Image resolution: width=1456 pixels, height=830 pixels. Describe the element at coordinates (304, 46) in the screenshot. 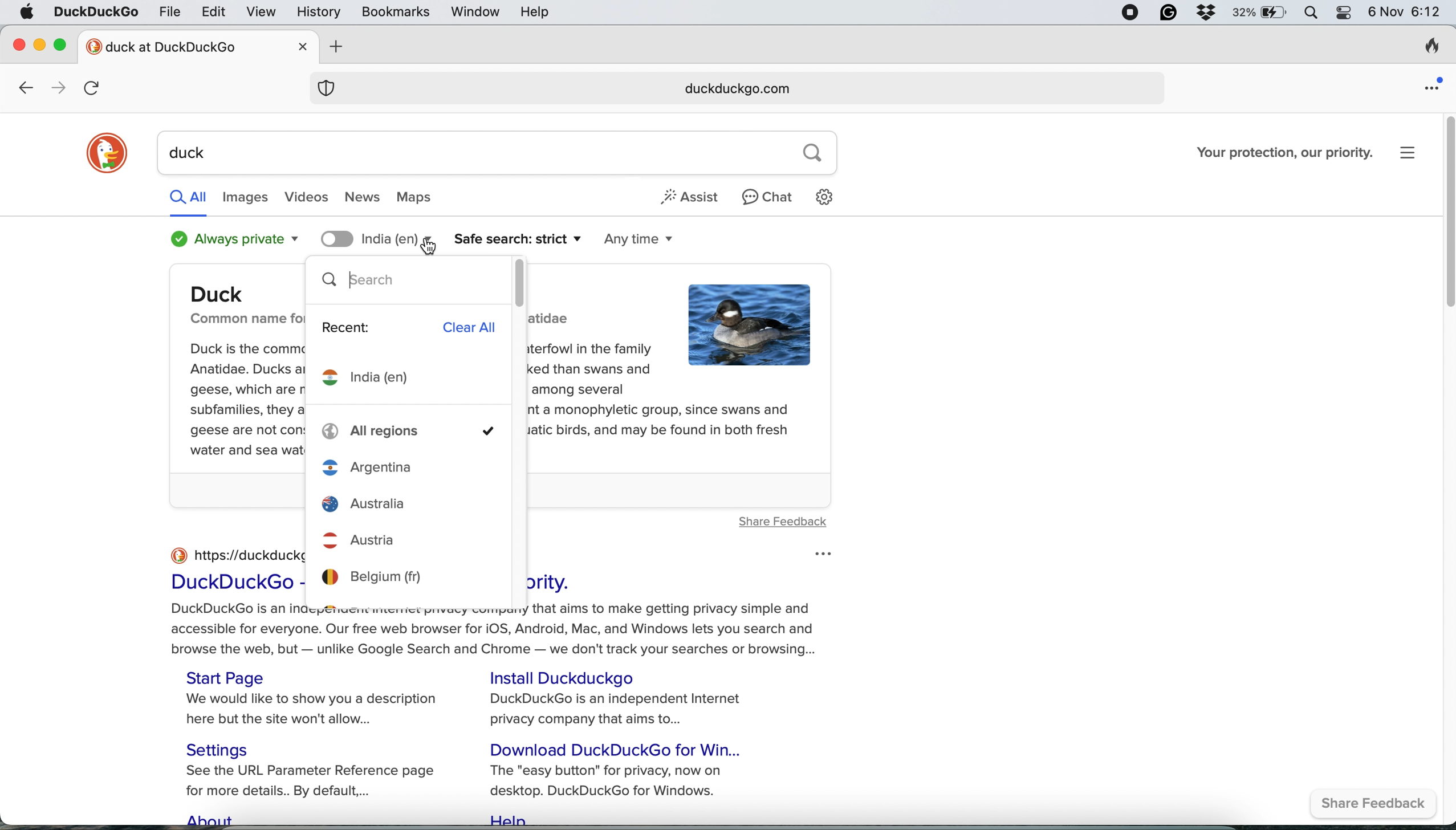

I see `close` at that location.